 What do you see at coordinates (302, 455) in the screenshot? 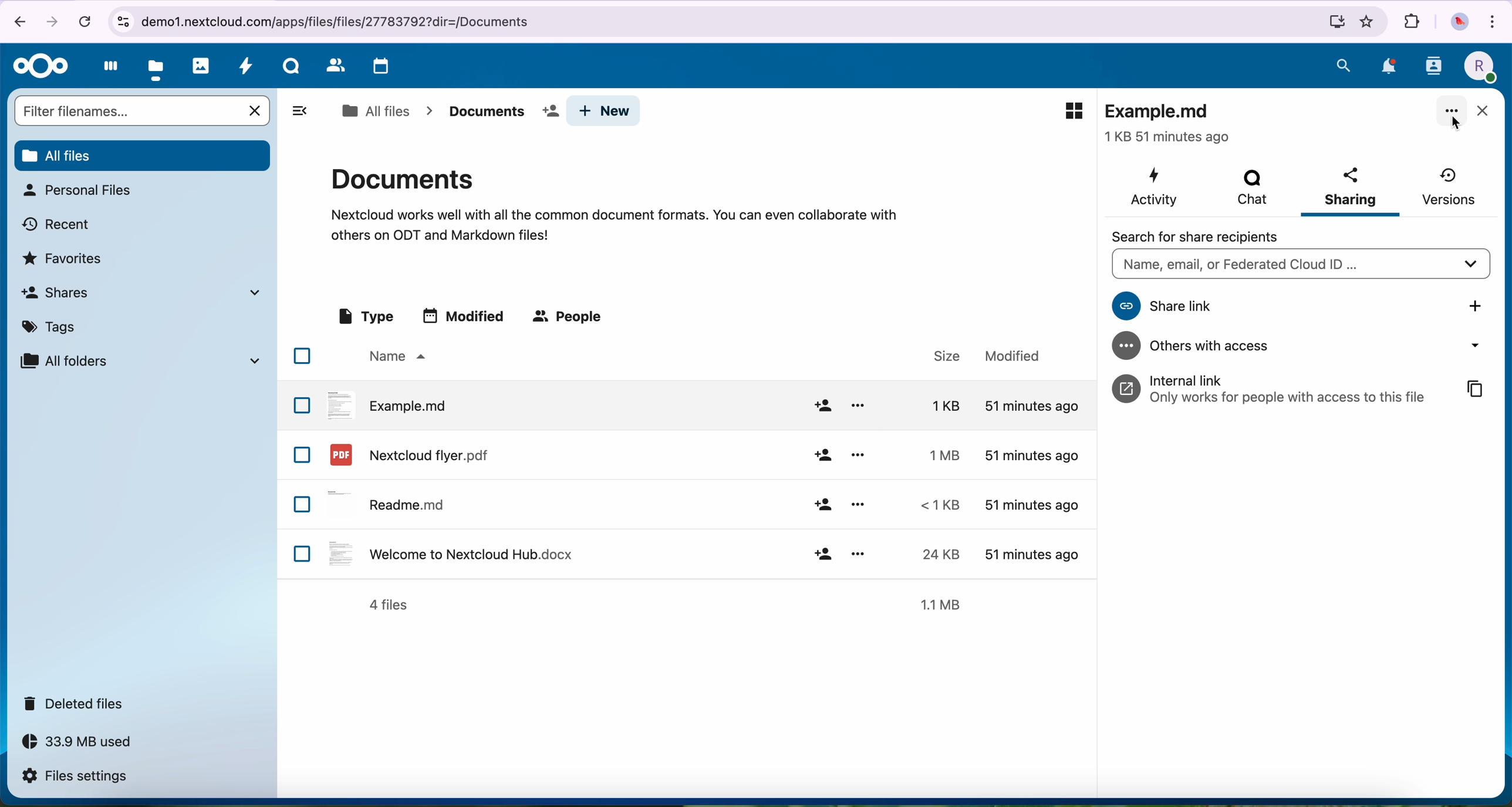
I see `checkbox` at bounding box center [302, 455].